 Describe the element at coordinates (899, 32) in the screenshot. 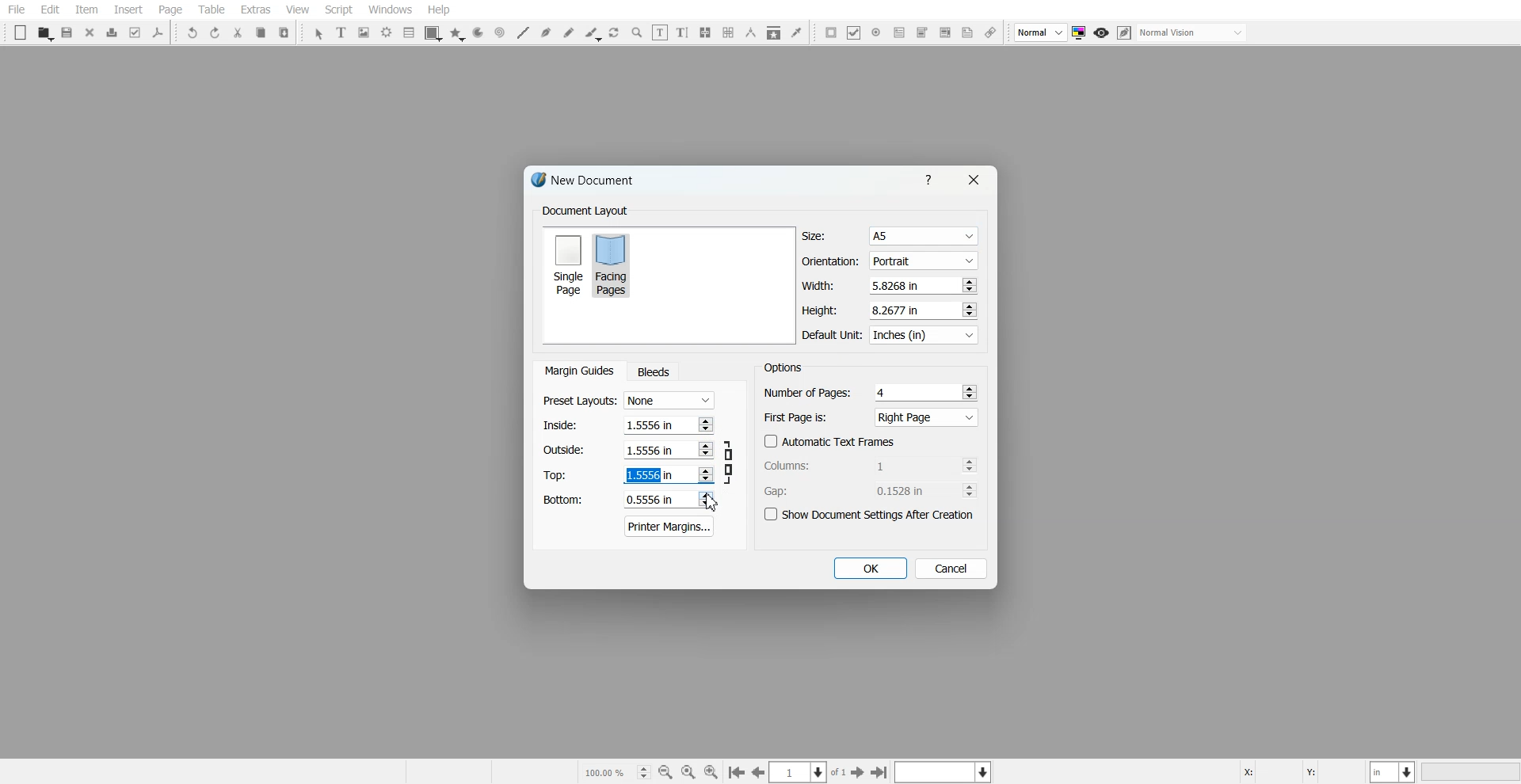

I see `PDF Text Field` at that location.